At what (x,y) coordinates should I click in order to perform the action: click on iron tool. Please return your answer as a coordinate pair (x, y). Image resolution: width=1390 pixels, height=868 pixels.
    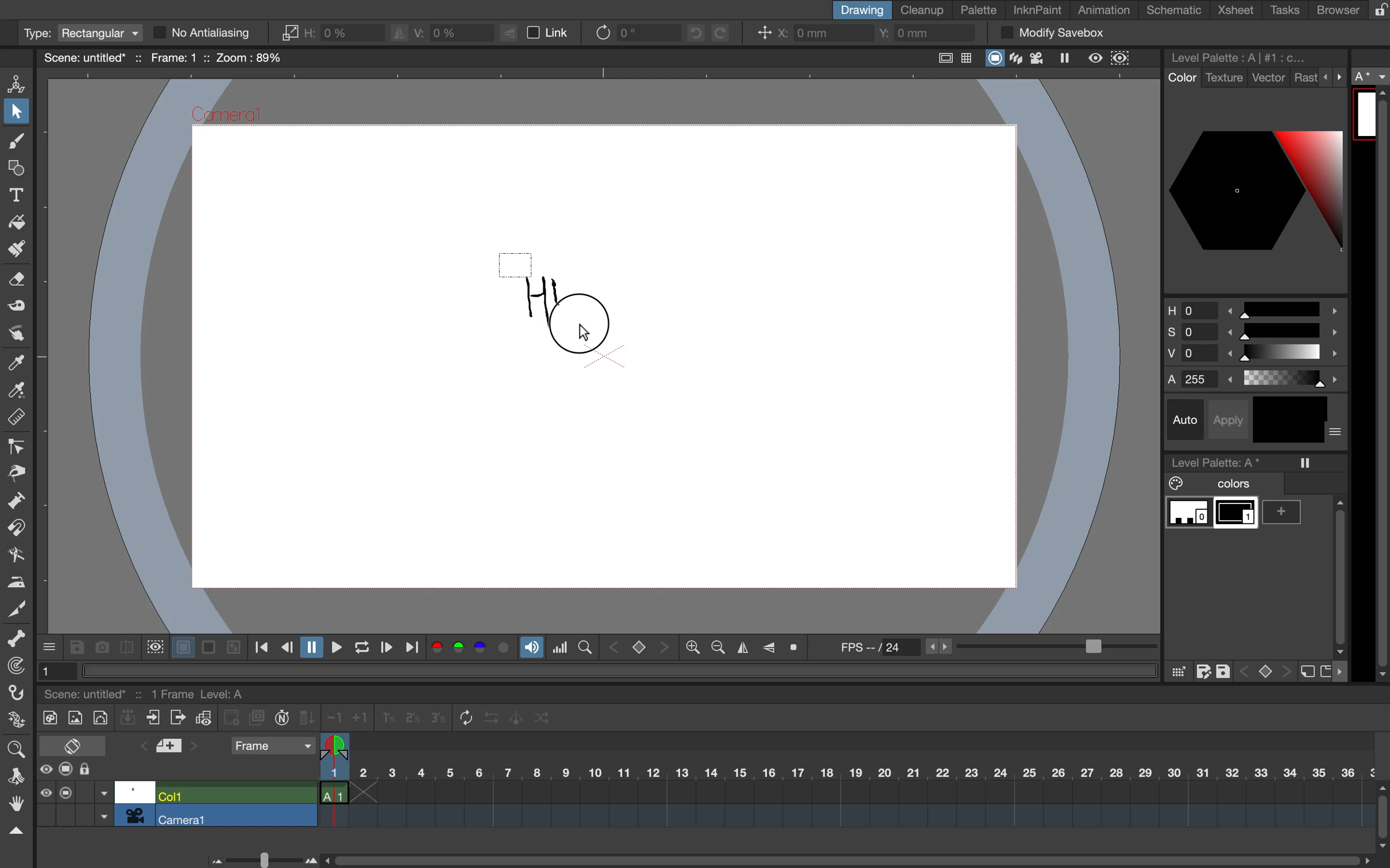
    Looking at the image, I should click on (17, 580).